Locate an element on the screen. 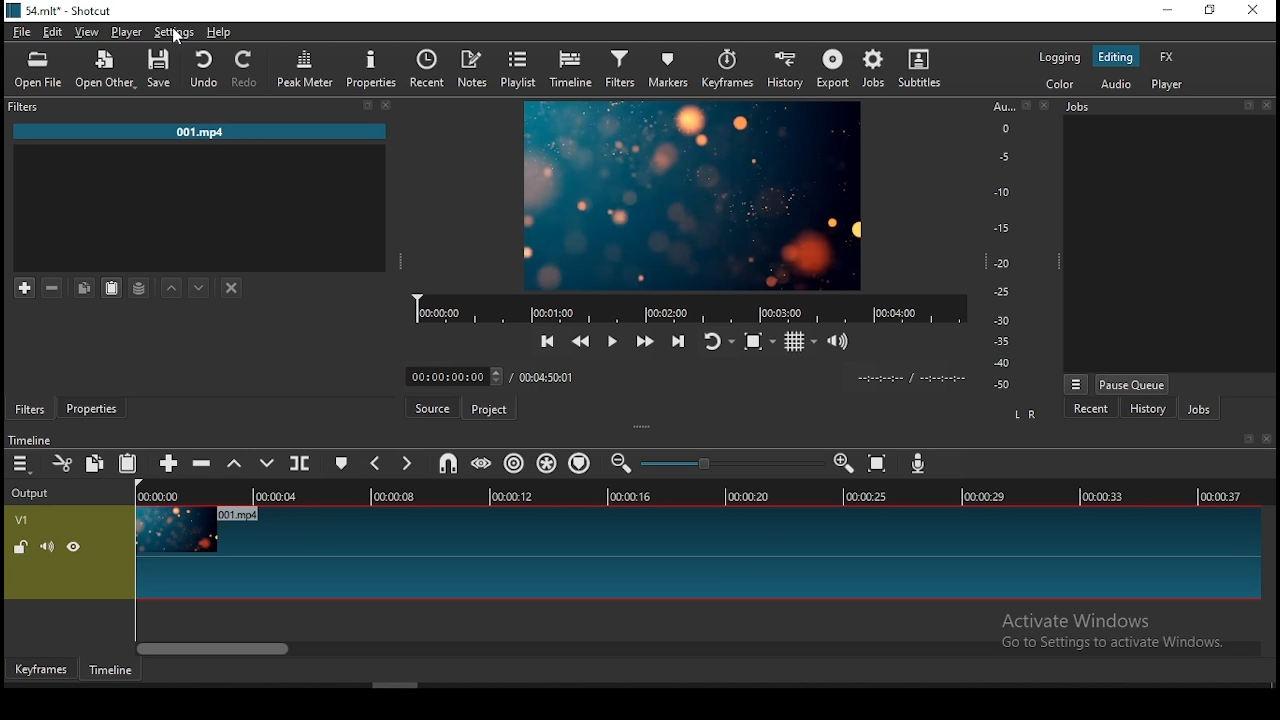 The image size is (1280, 720). 00:00:33 is located at coordinates (1103, 495).